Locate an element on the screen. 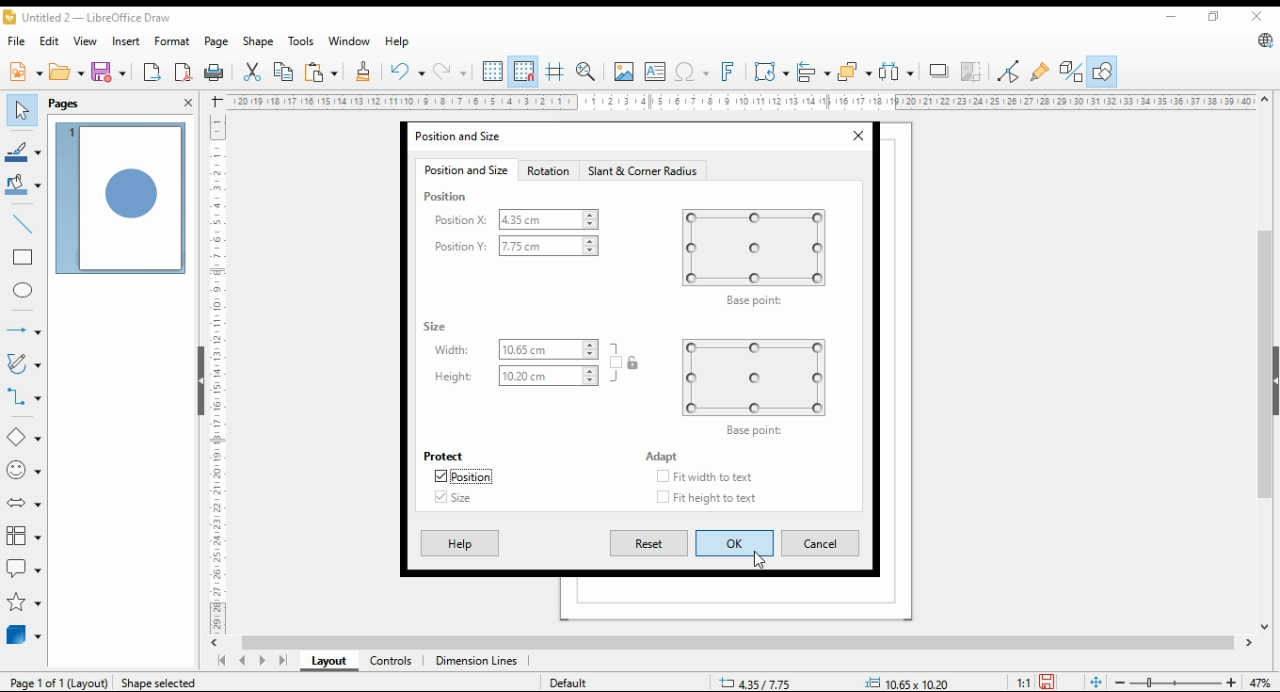 This screenshot has width=1280, height=692. curves and polygons is located at coordinates (23, 364).